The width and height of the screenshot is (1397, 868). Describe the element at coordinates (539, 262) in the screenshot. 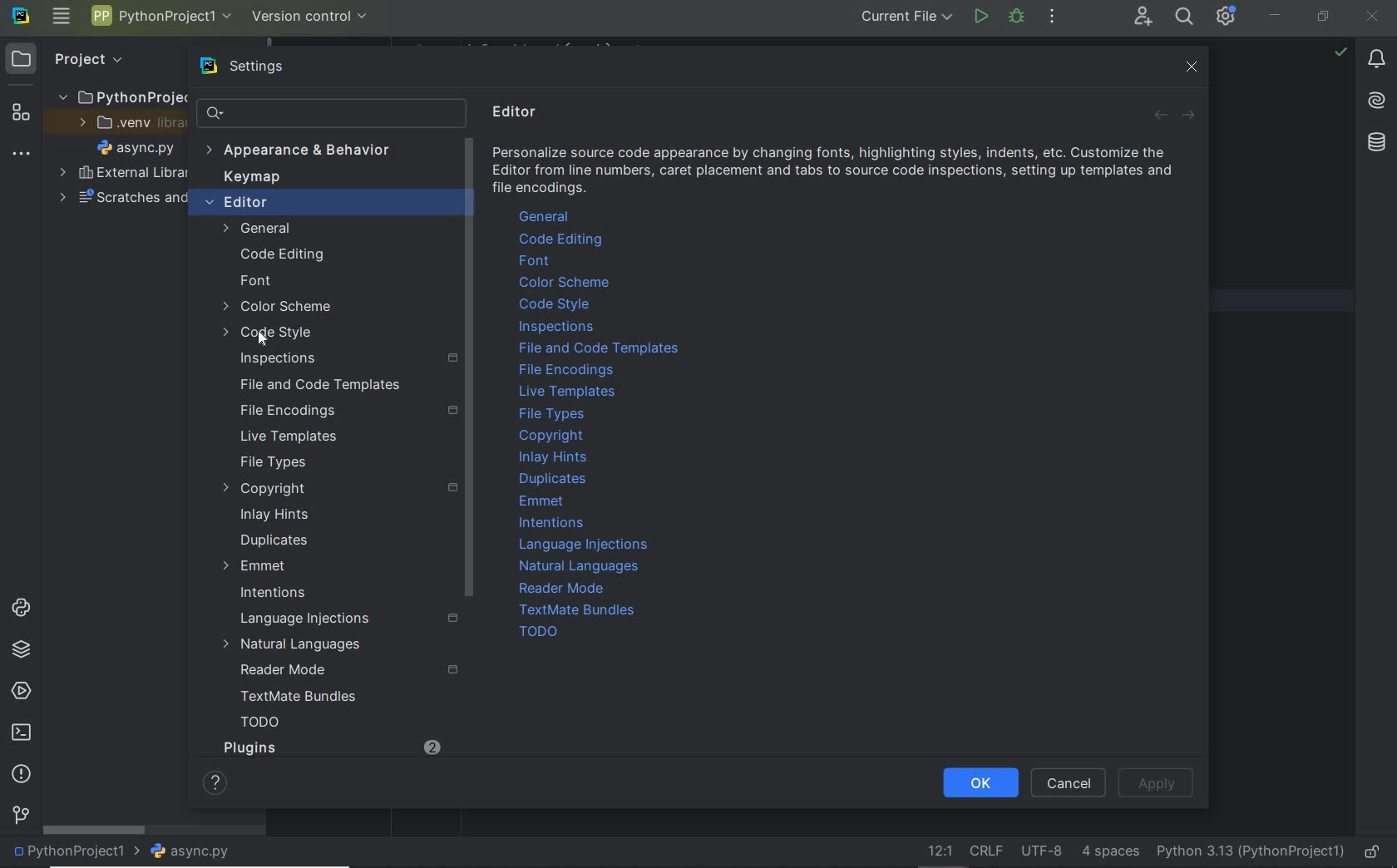

I see `font` at that location.